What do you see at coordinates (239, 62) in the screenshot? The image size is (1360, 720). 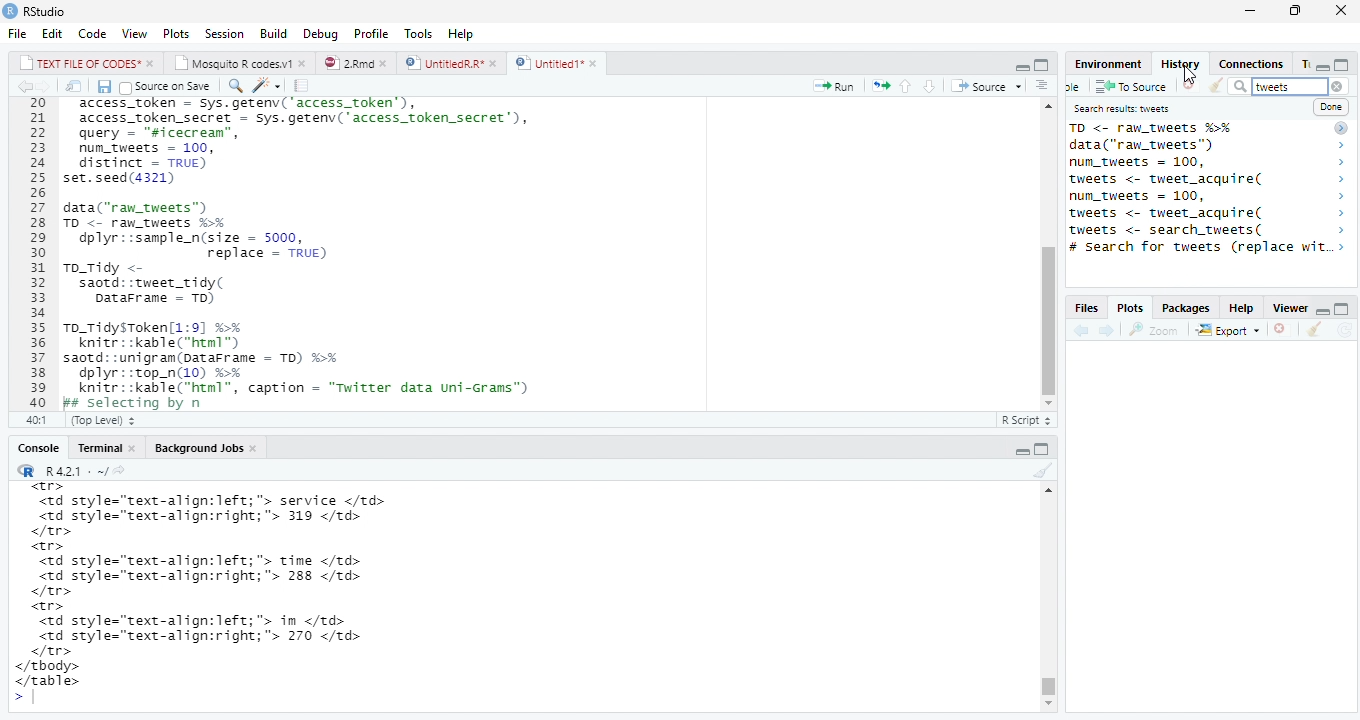 I see `| Mosauito R codes.y!` at bounding box center [239, 62].